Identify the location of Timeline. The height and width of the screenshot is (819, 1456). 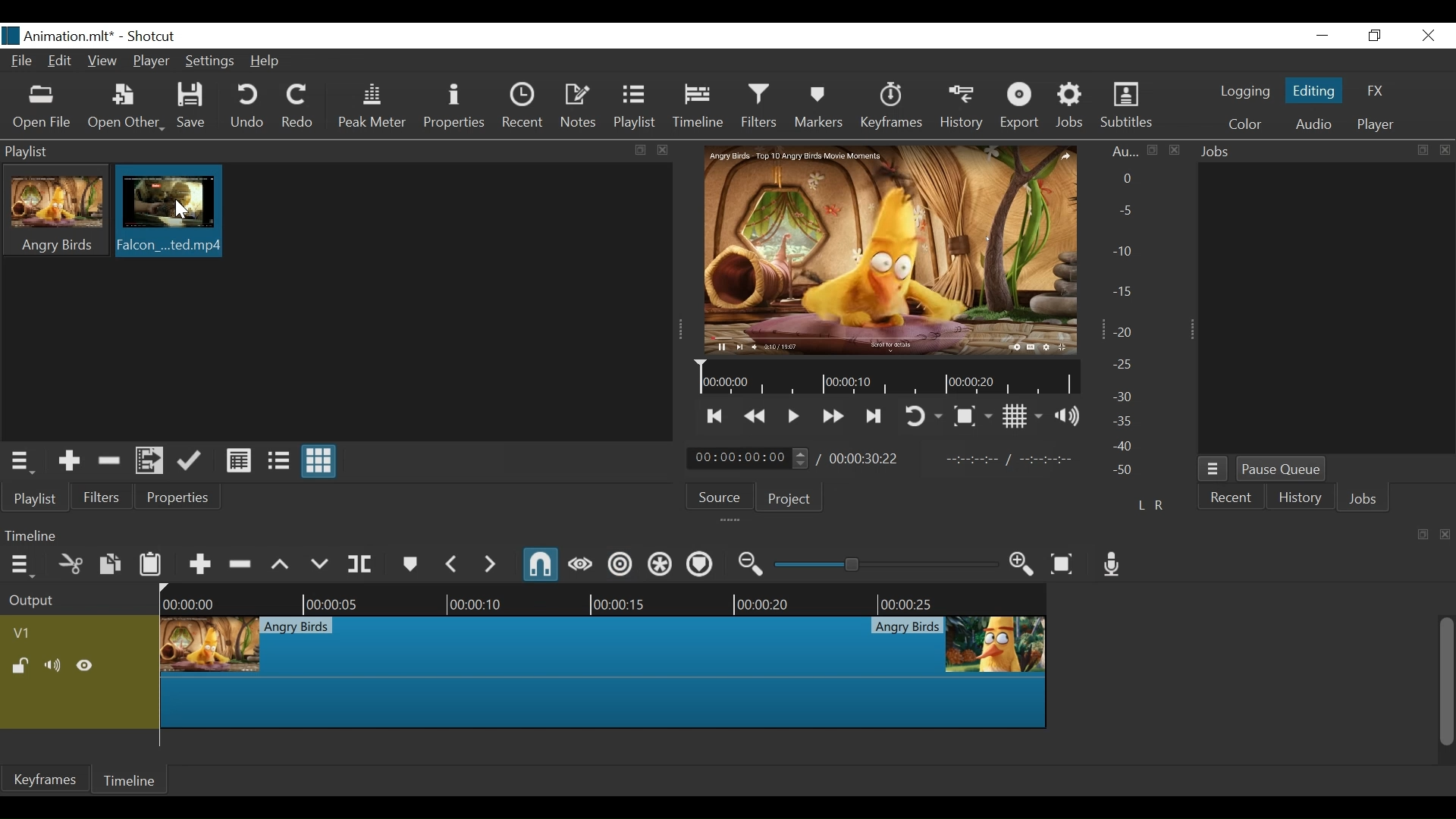
(607, 599).